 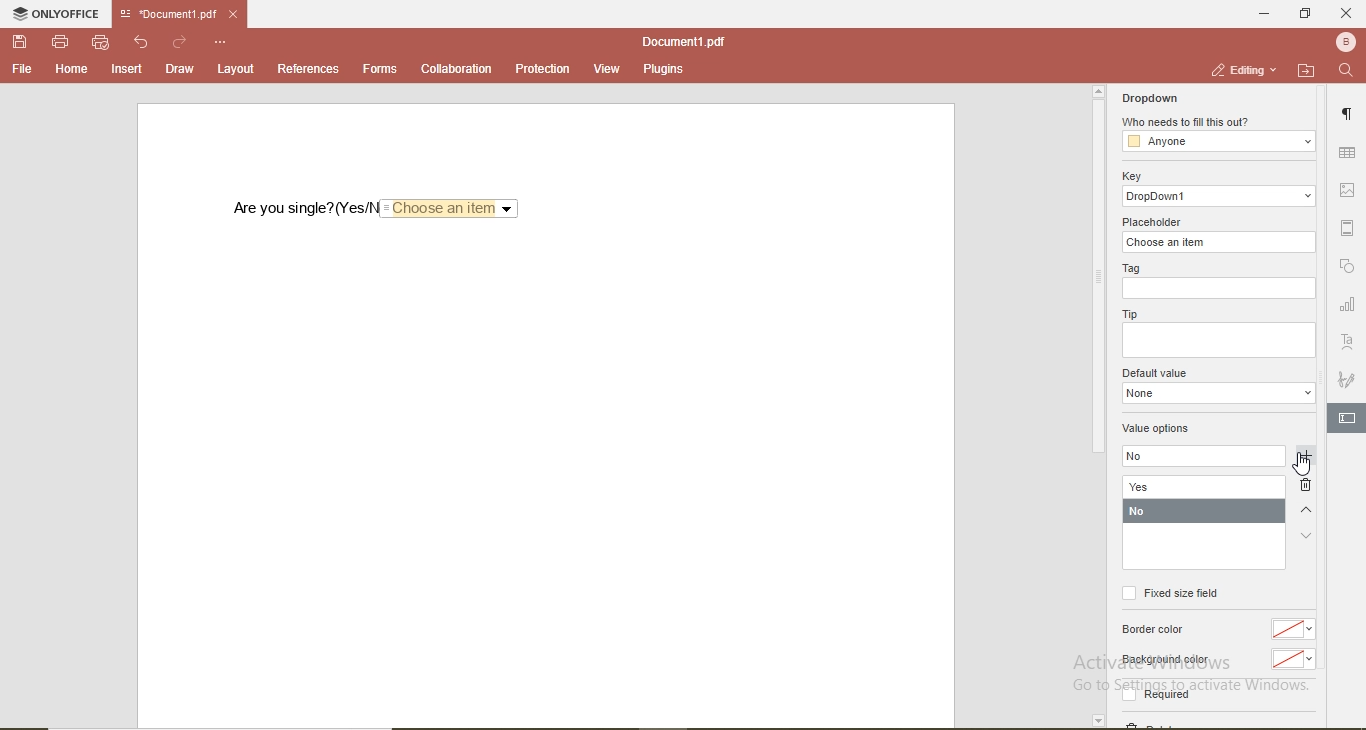 I want to click on signature, so click(x=1348, y=377).